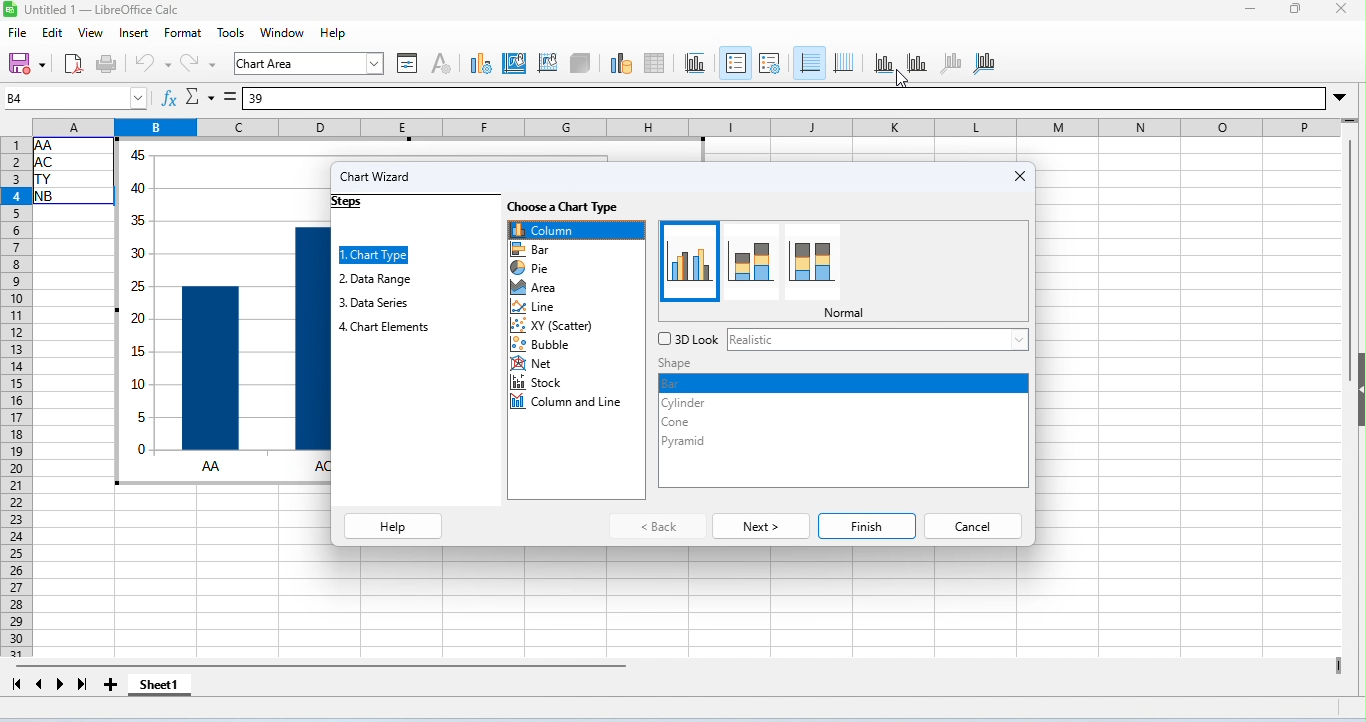 This screenshot has height=722, width=1366. Describe the element at coordinates (104, 64) in the screenshot. I see `print` at that location.